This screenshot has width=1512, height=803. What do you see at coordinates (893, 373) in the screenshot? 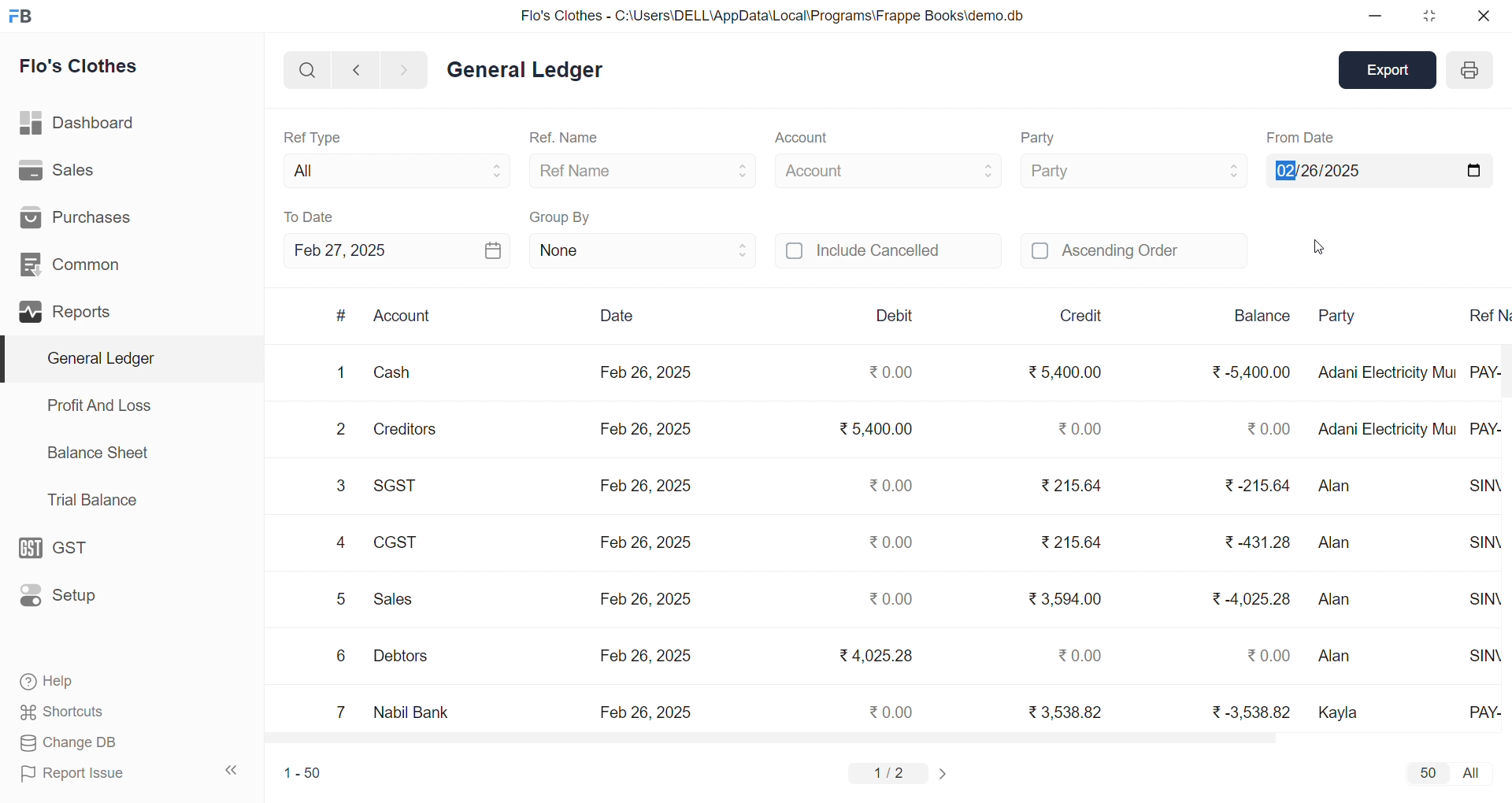
I see `₹0.00` at bounding box center [893, 373].